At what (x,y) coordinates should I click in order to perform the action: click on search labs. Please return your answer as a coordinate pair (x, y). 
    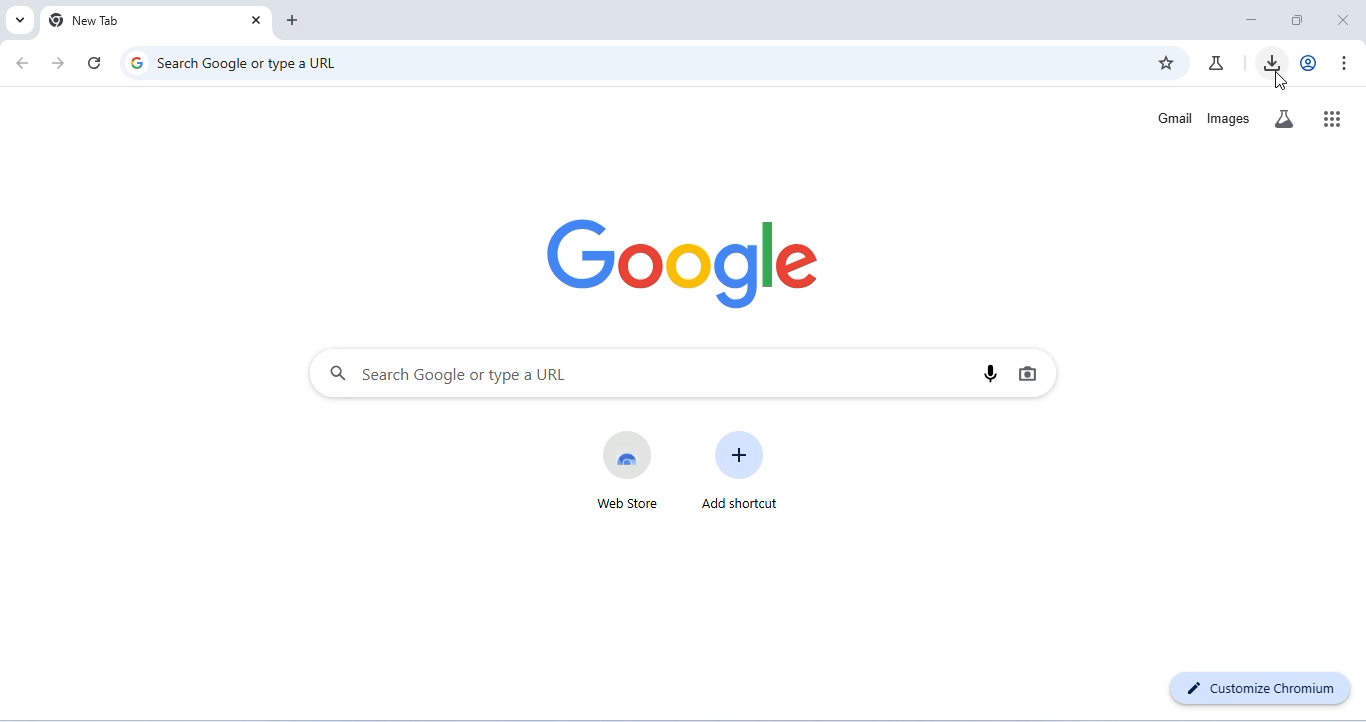
    Looking at the image, I should click on (1284, 119).